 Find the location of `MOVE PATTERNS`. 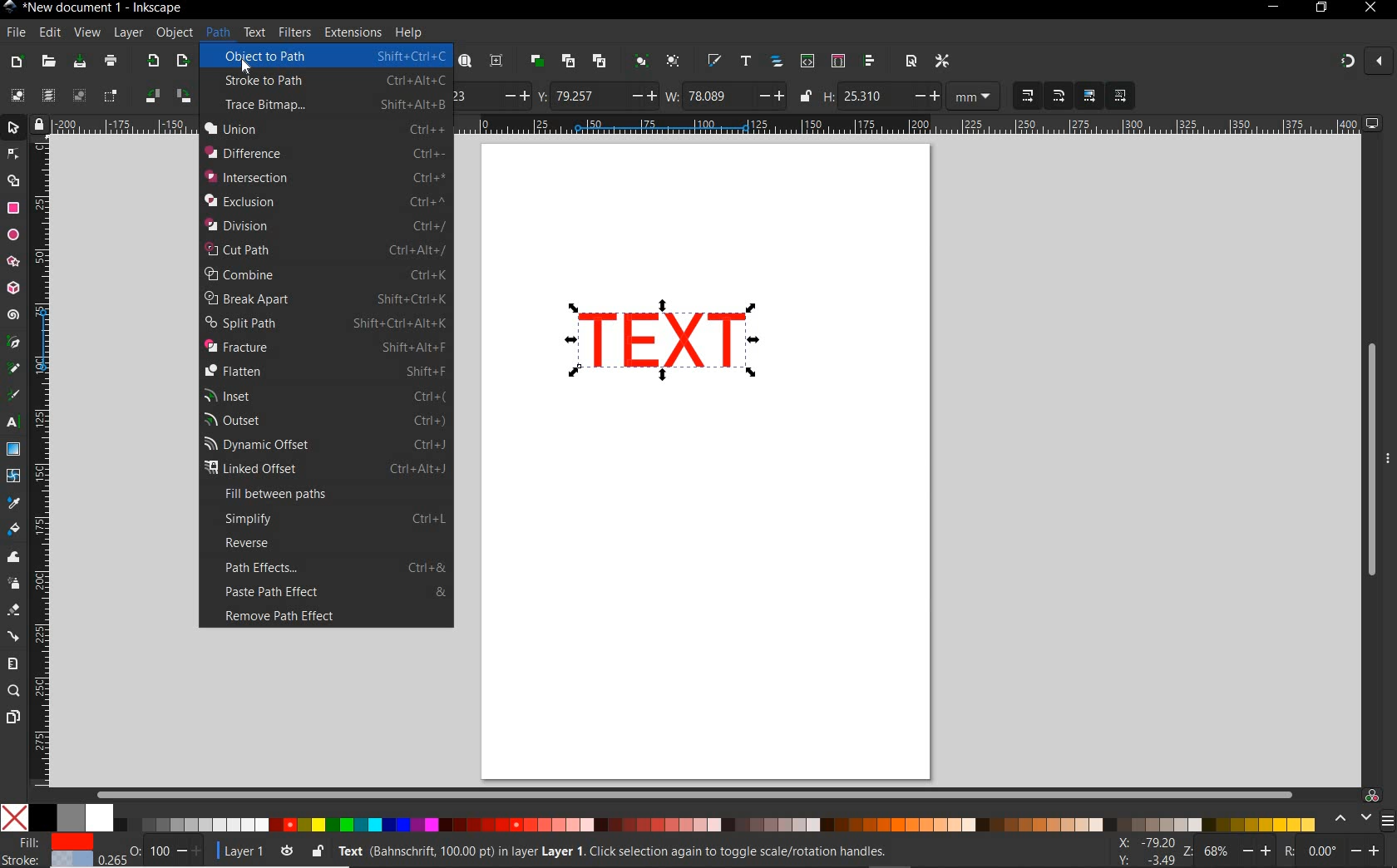

MOVE PATTERNS is located at coordinates (1119, 96).